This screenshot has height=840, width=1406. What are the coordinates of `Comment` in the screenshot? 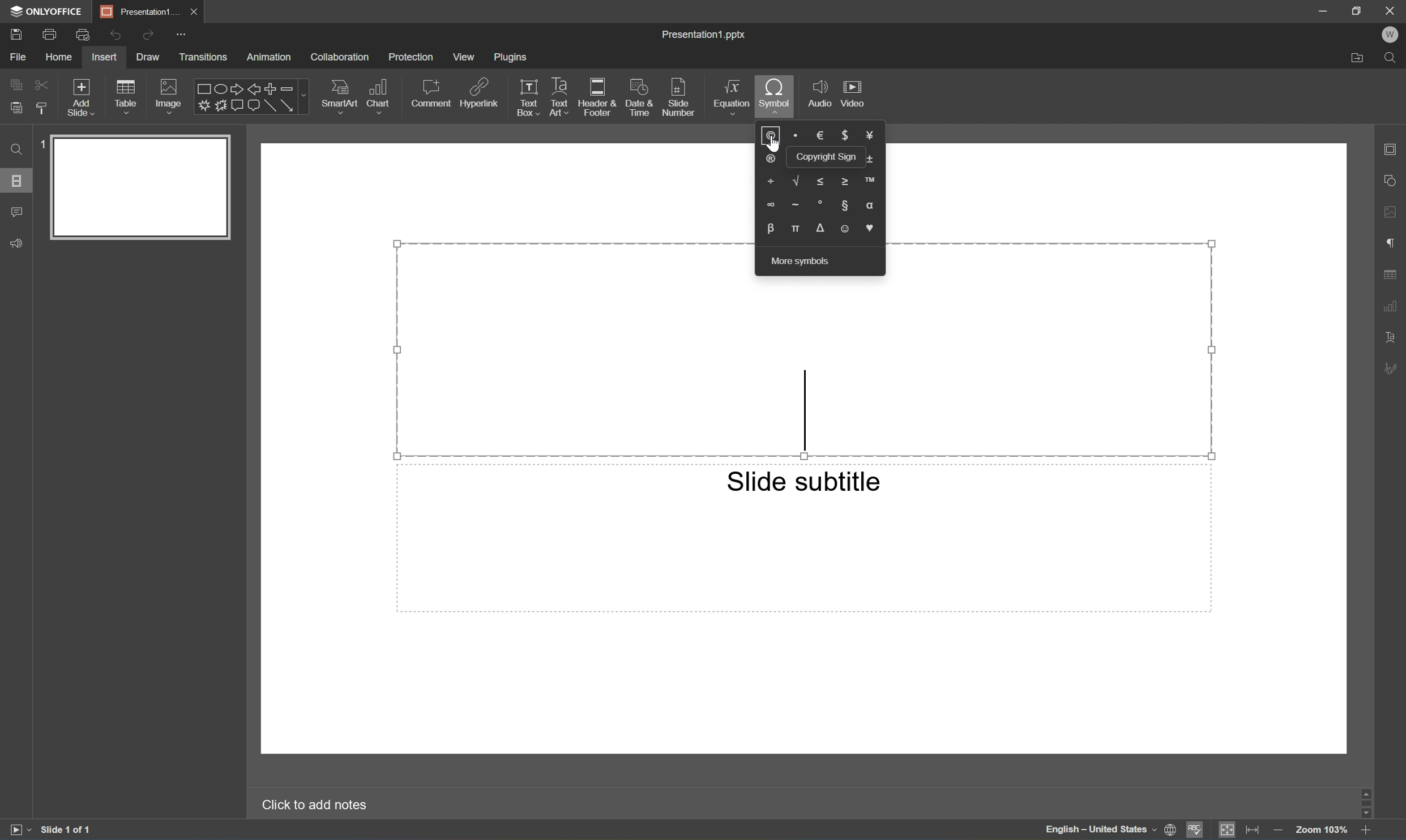 It's located at (433, 91).